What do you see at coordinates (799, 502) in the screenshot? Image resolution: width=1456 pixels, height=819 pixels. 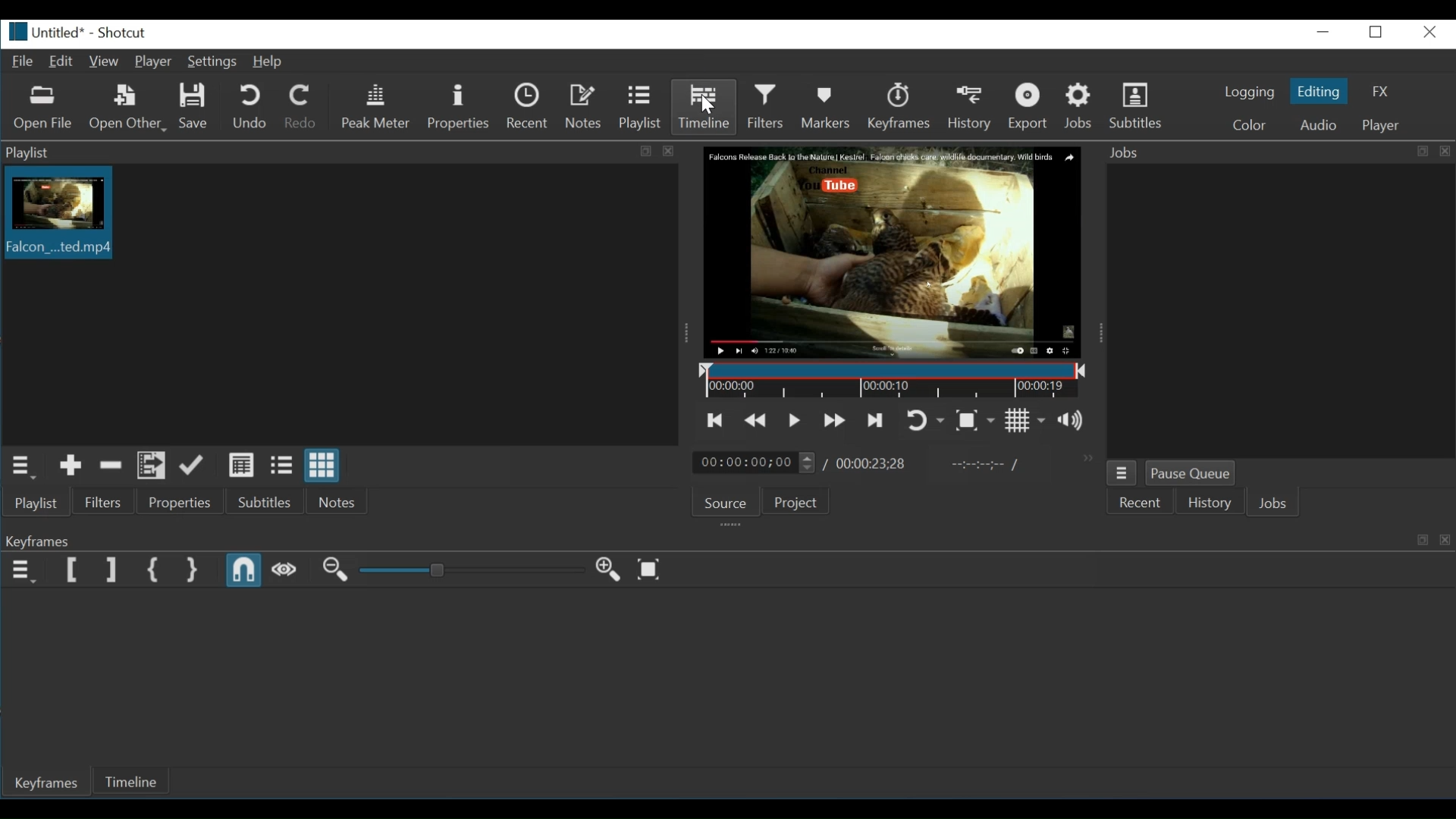 I see `Project` at bounding box center [799, 502].